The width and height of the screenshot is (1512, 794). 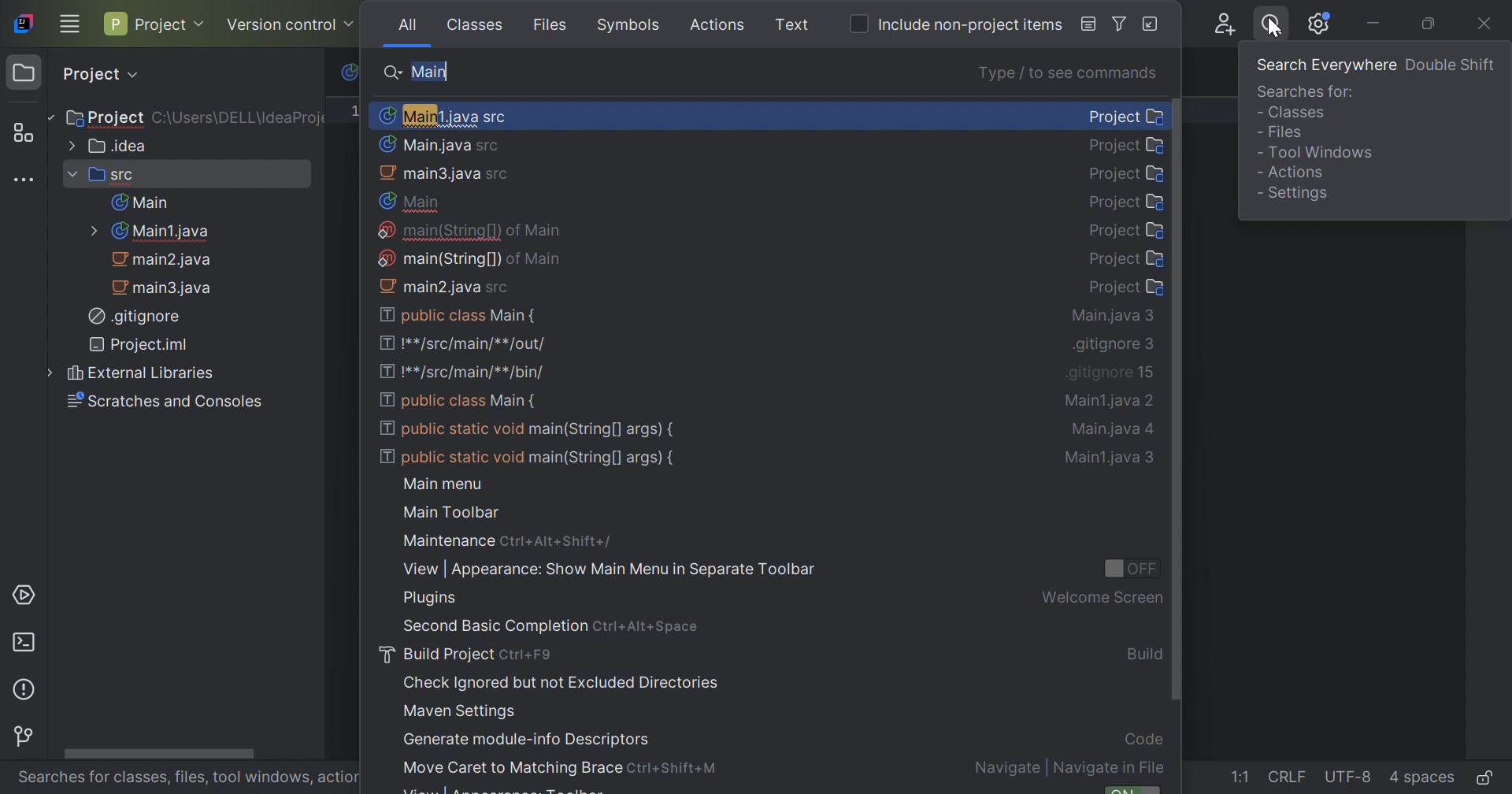 I want to click on Structure, so click(x=21, y=132).